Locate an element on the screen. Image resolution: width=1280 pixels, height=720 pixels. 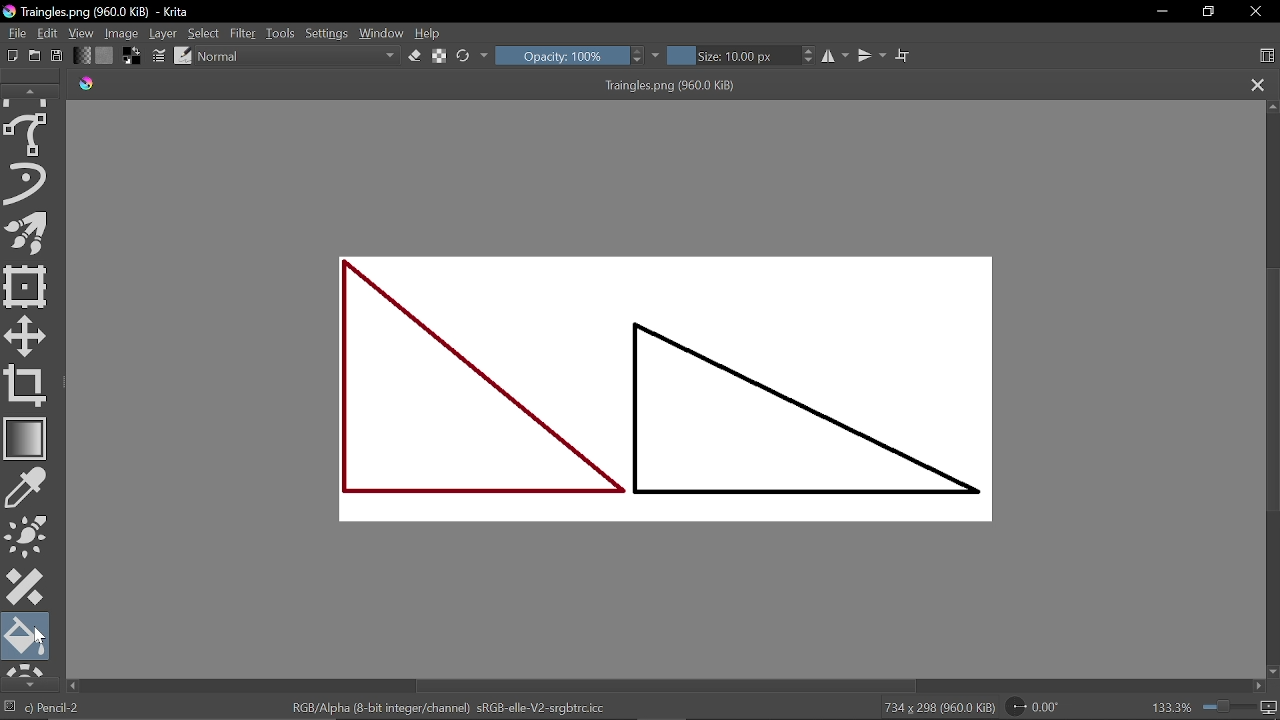
Move up is located at coordinates (1272, 107).